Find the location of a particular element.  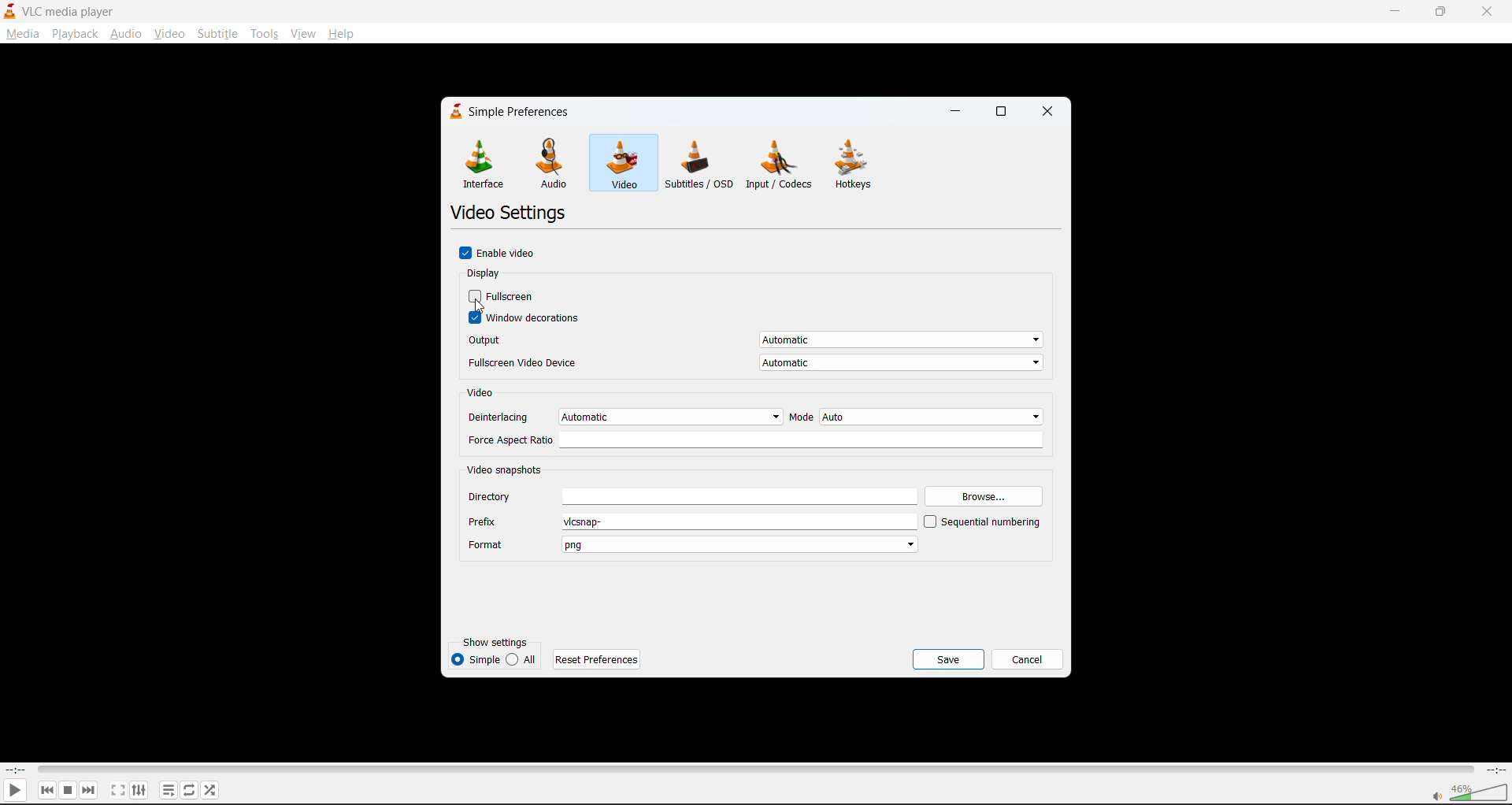

tools is located at coordinates (265, 35).